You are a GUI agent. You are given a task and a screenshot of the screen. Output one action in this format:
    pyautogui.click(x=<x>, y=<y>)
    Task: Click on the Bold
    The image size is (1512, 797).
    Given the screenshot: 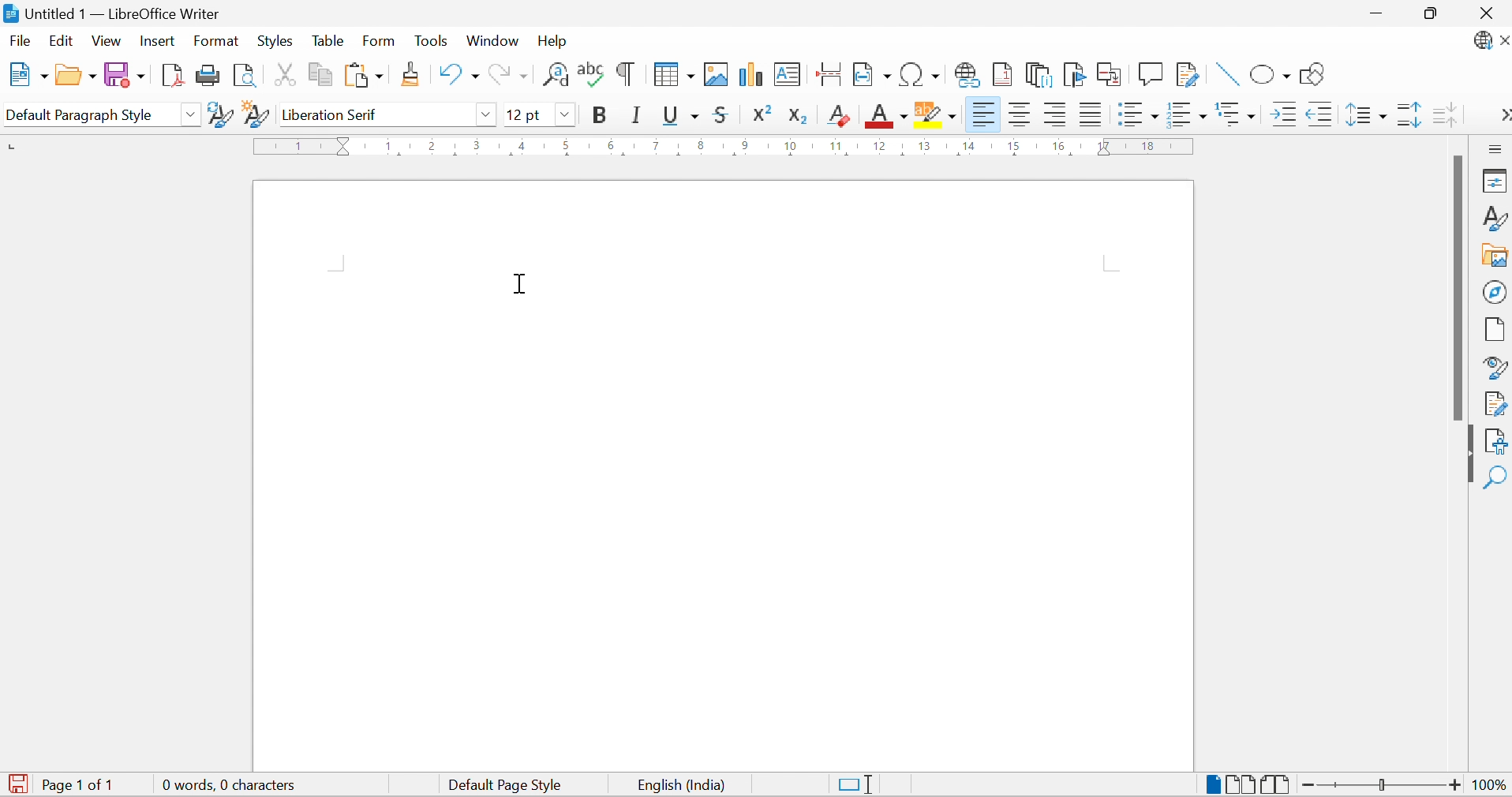 What is the action you would take?
    pyautogui.click(x=601, y=115)
    